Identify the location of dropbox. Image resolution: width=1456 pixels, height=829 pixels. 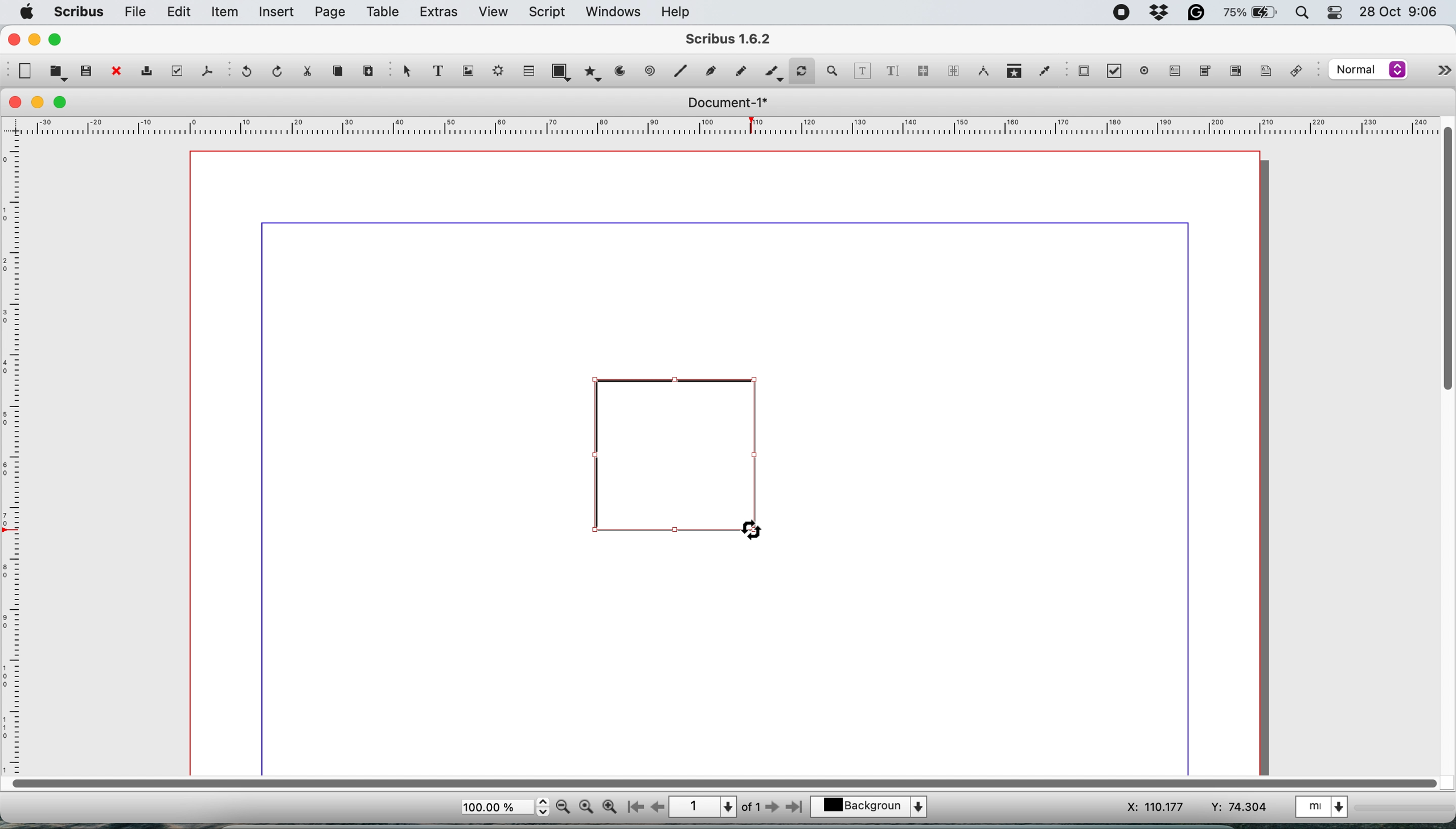
(1160, 13).